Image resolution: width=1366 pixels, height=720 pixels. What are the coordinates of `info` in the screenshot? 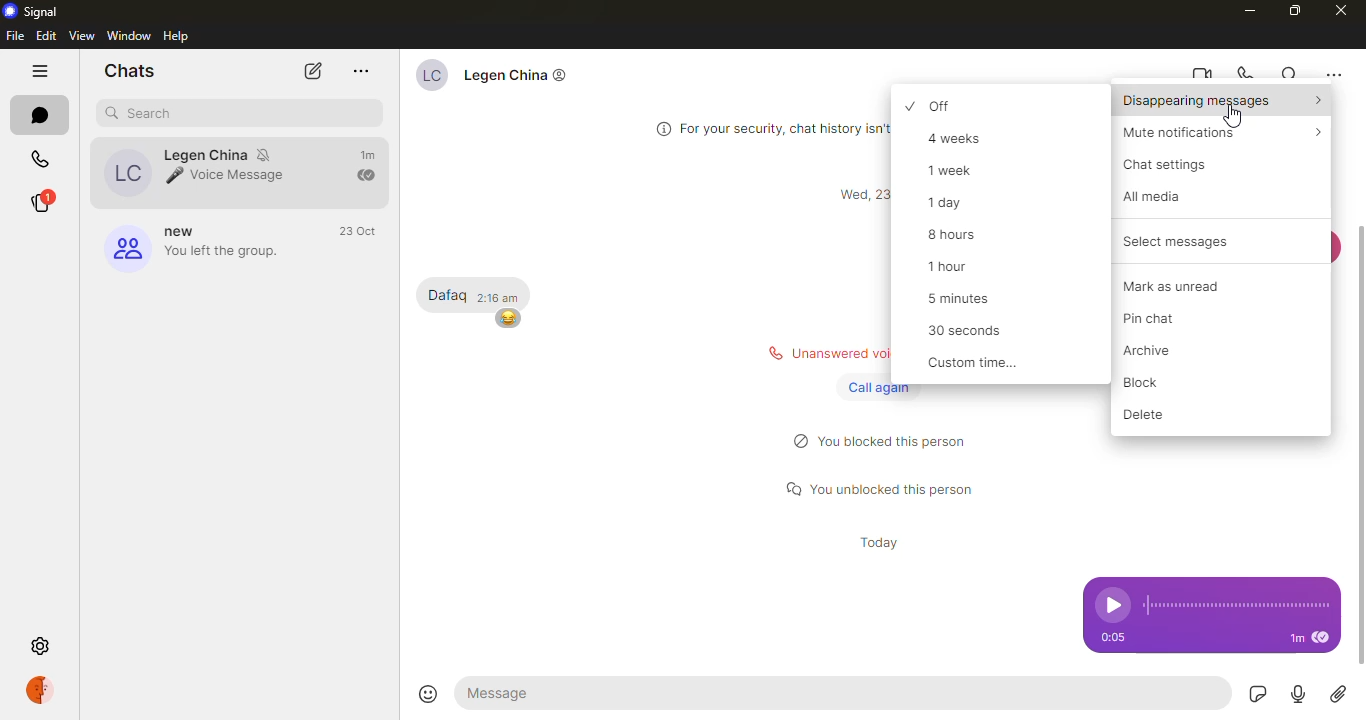 It's located at (765, 126).